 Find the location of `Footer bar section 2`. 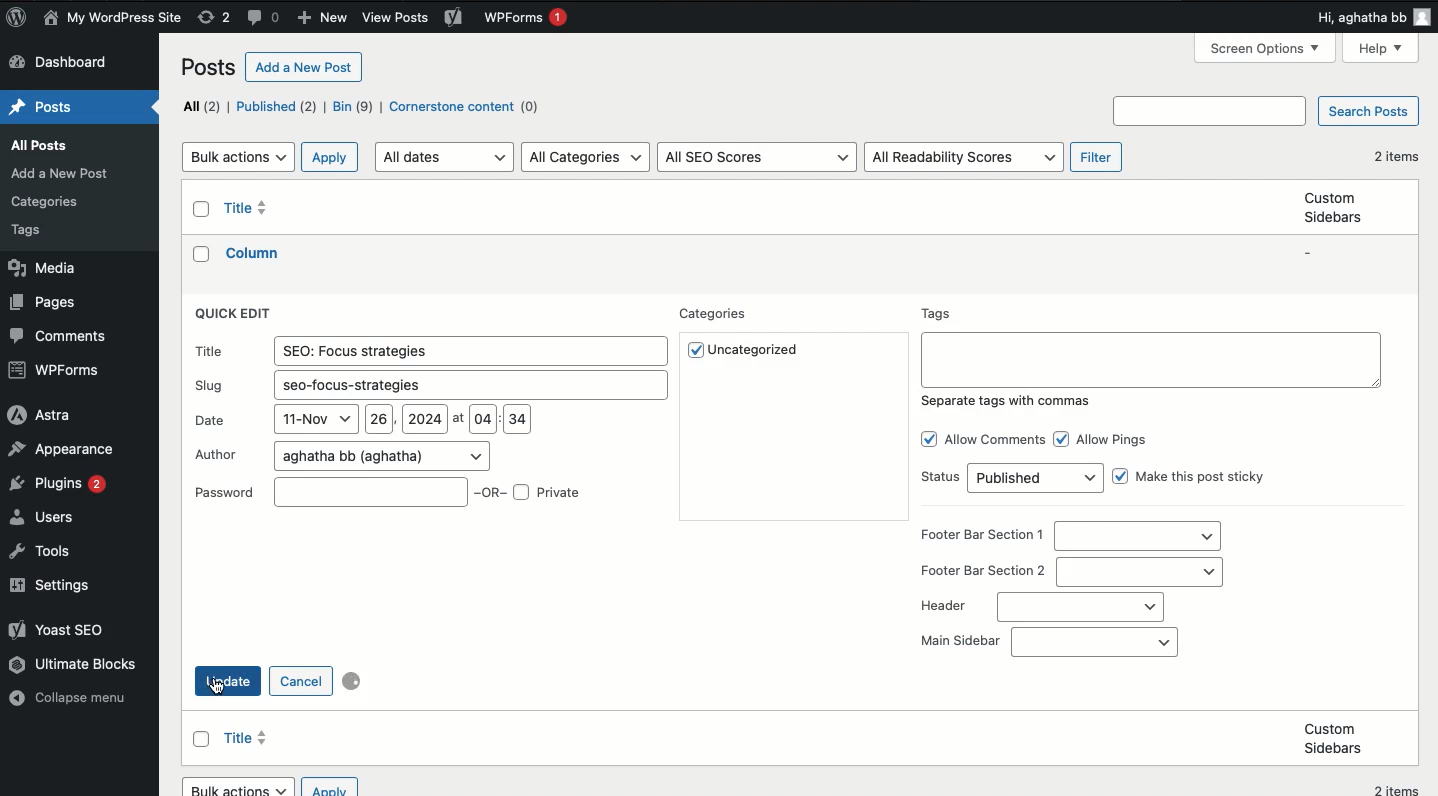

Footer bar section 2 is located at coordinates (983, 571).